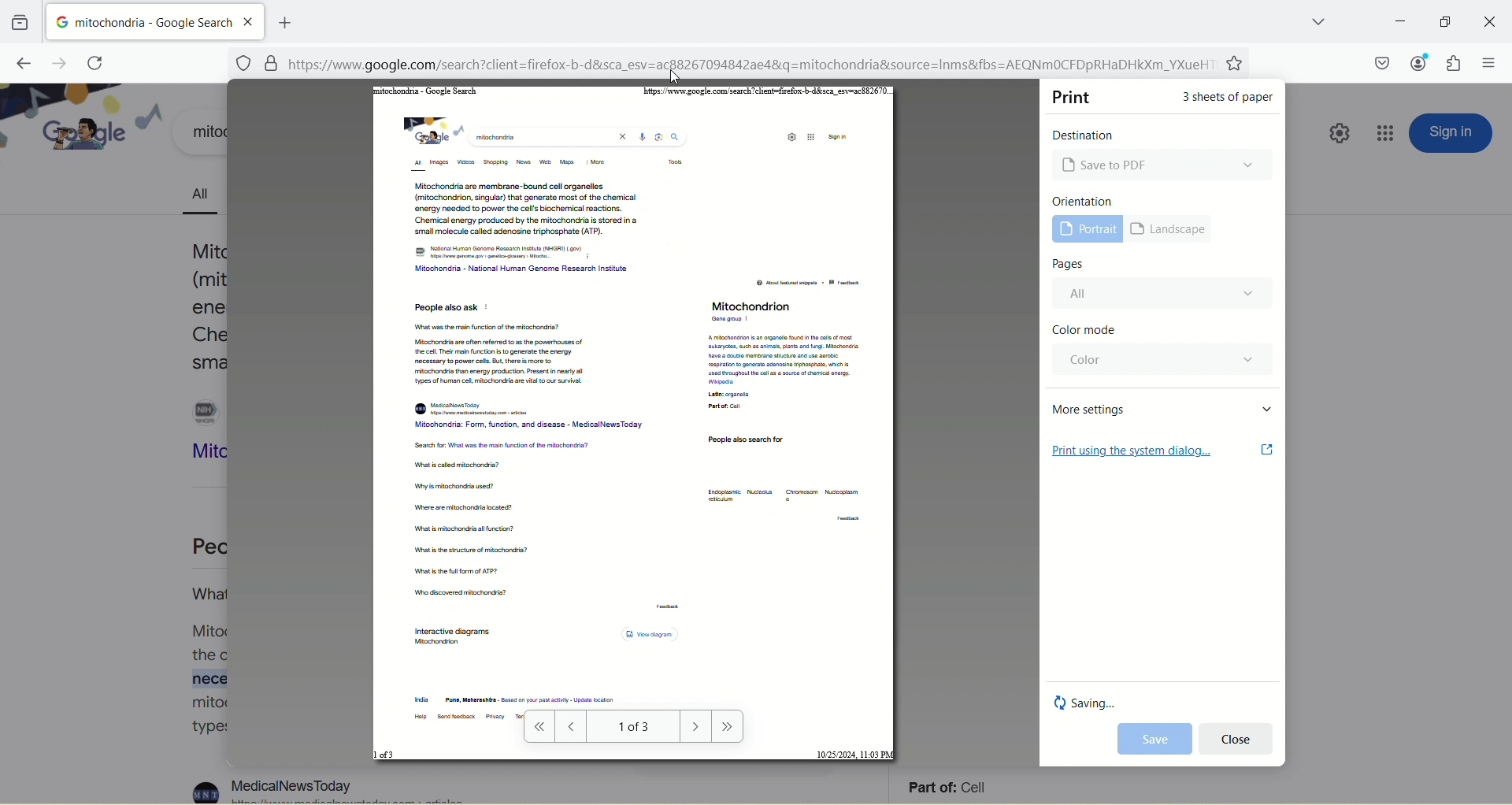 This screenshot has height=805, width=1512. What do you see at coordinates (140, 20) in the screenshot?
I see `mitochondria-google search` at bounding box center [140, 20].